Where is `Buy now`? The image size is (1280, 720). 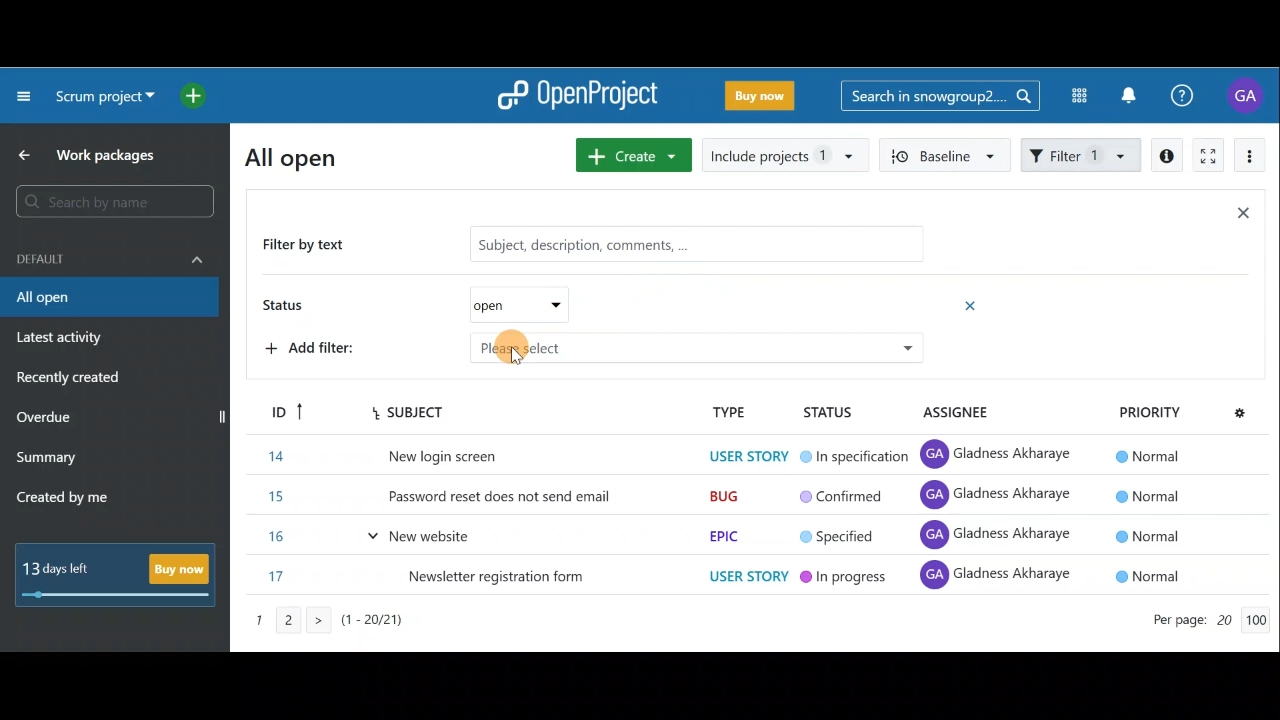
Buy now is located at coordinates (123, 576).